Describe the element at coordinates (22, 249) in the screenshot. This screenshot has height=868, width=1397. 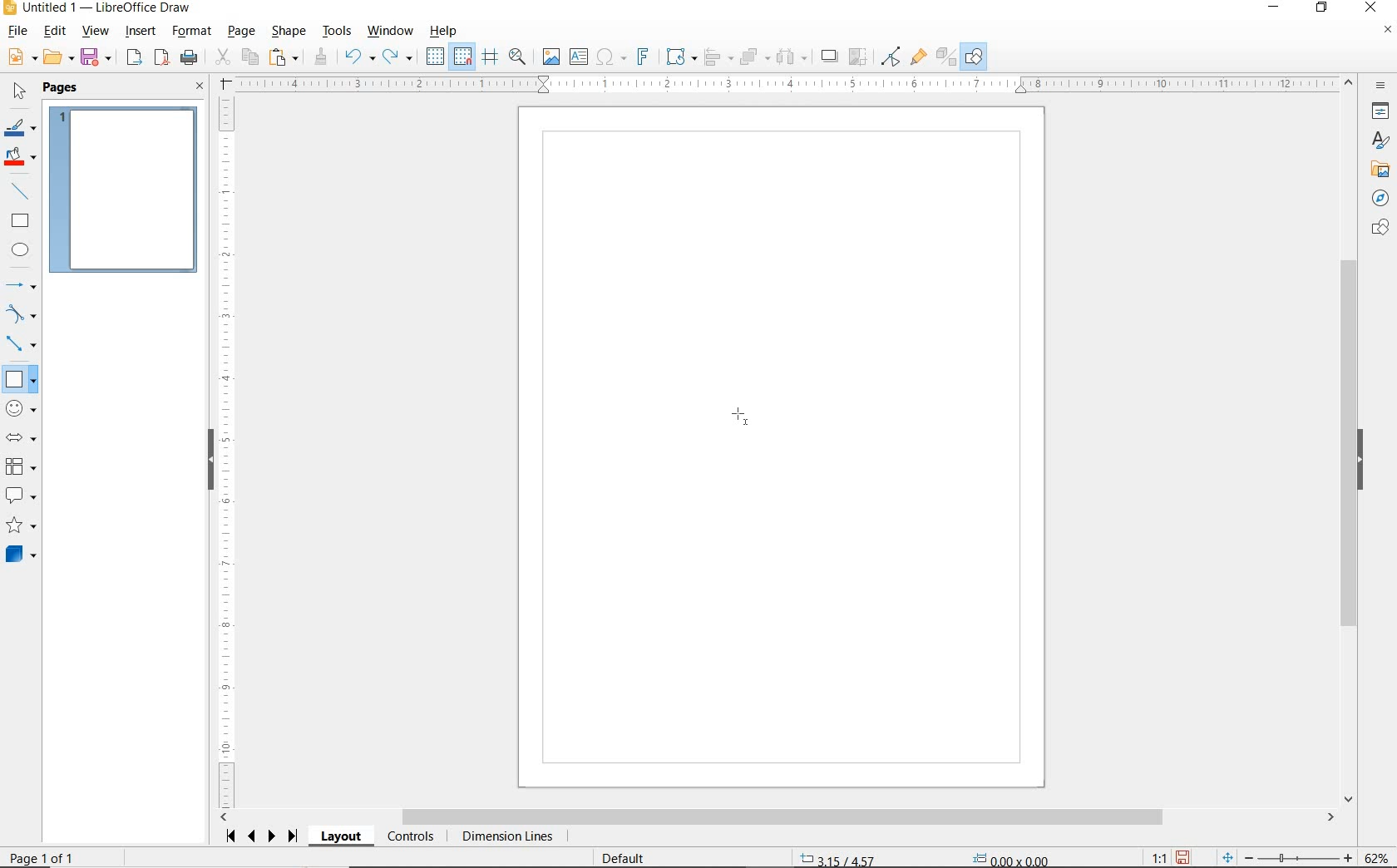
I see `ELLIPSE` at that location.